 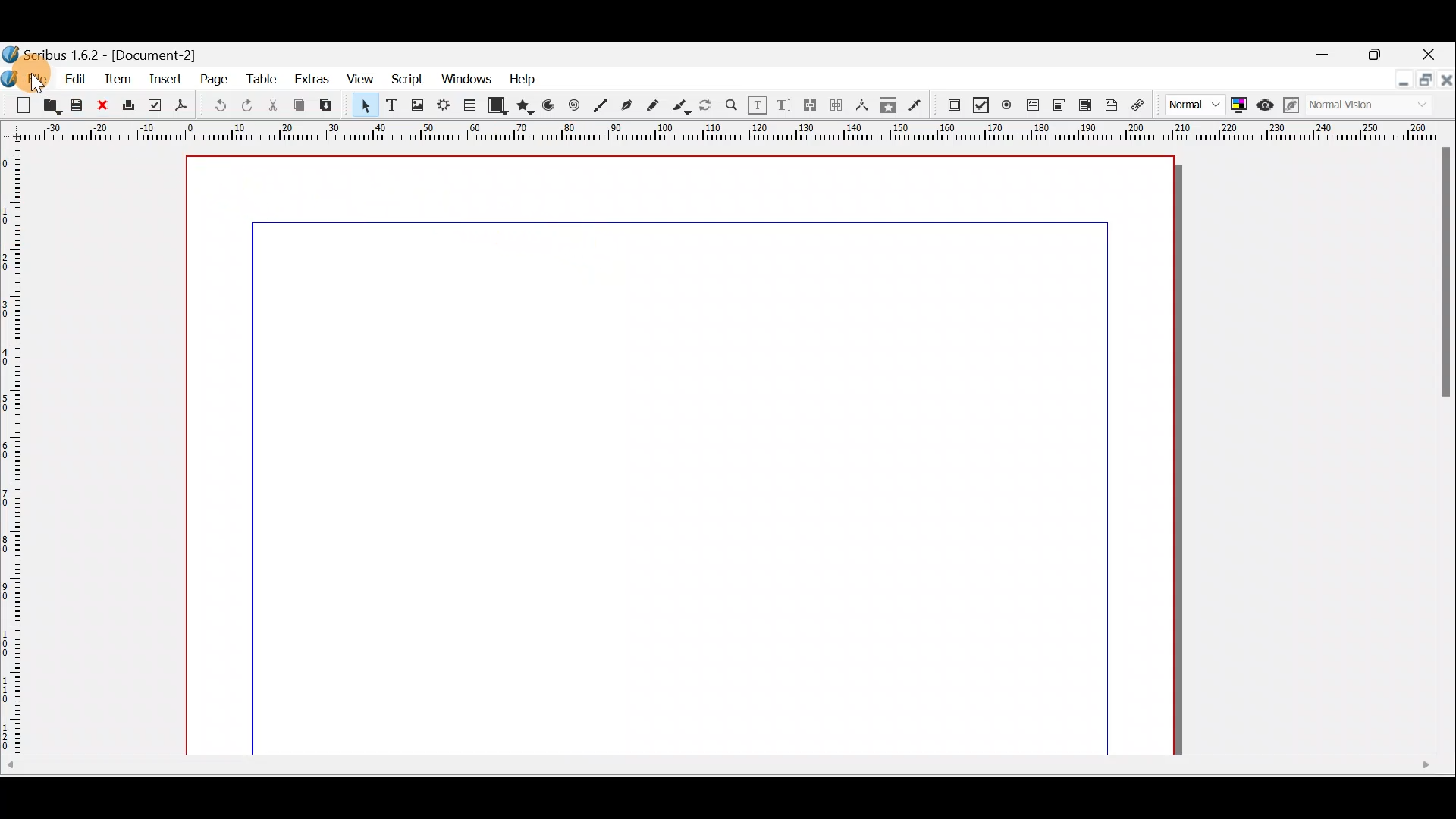 I want to click on Zoom in or out, so click(x=733, y=106).